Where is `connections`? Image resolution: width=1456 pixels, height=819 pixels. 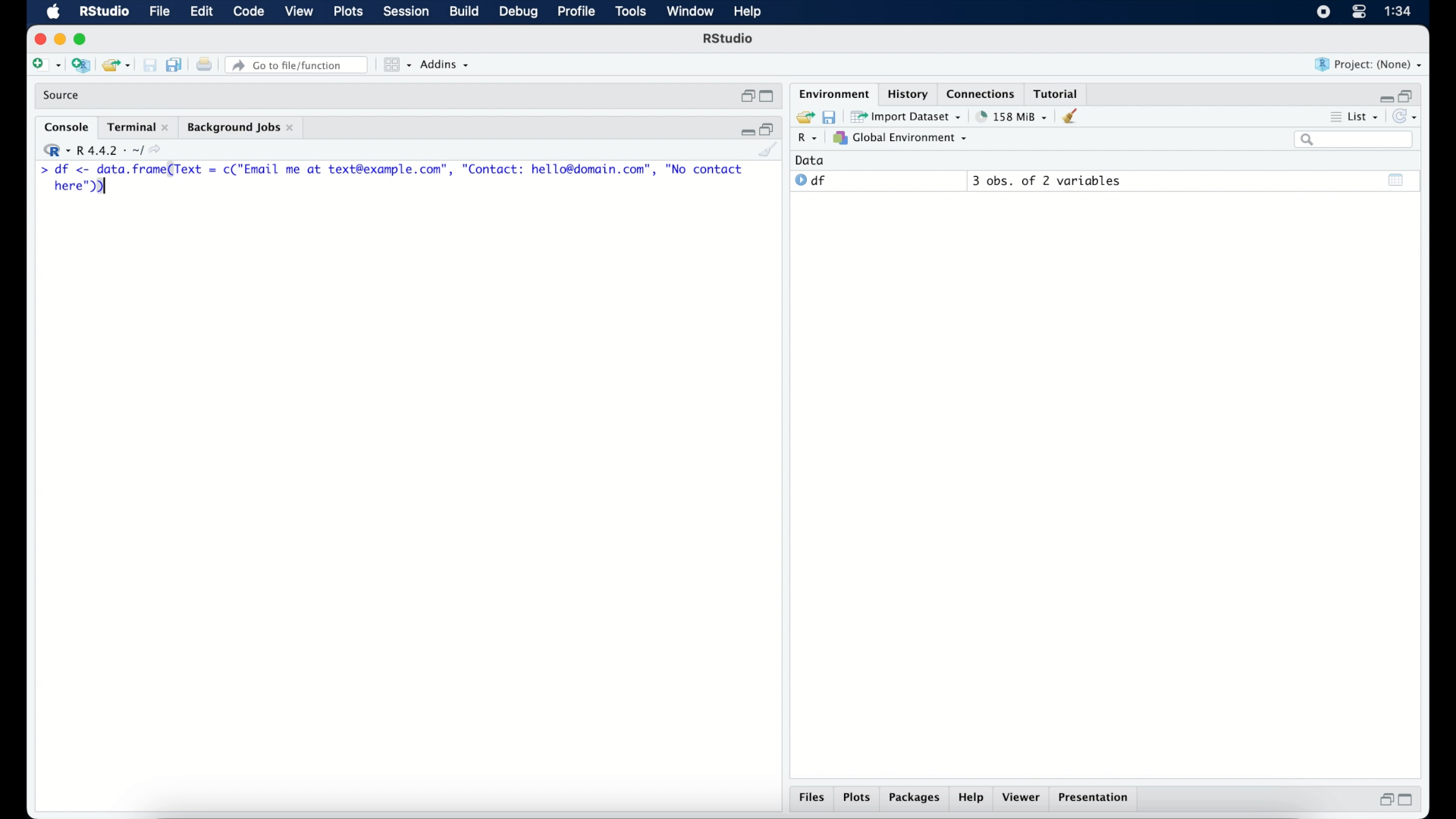
connections is located at coordinates (983, 93).